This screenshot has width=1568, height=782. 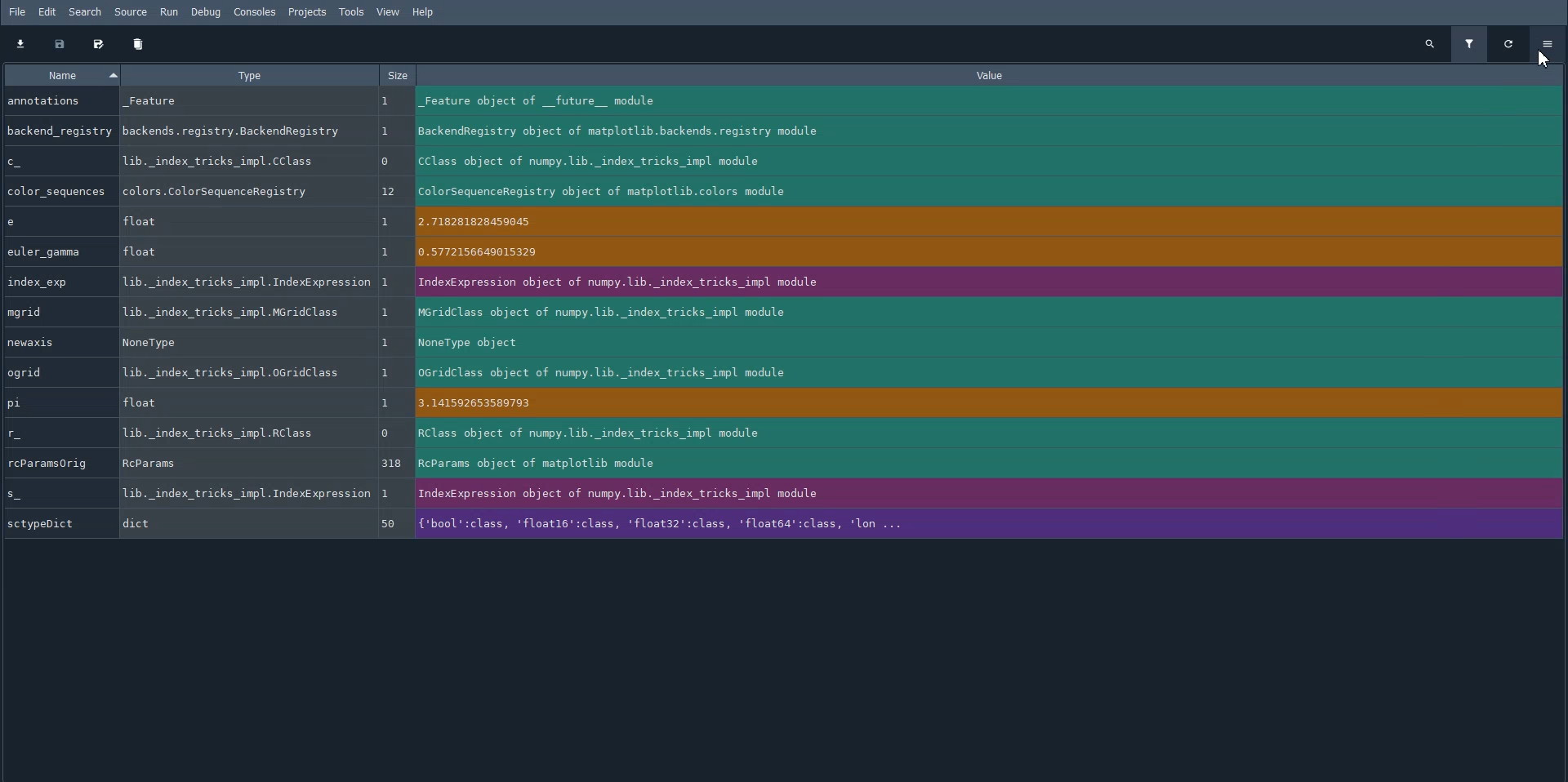 I want to click on Remove all preferences, so click(x=139, y=44).